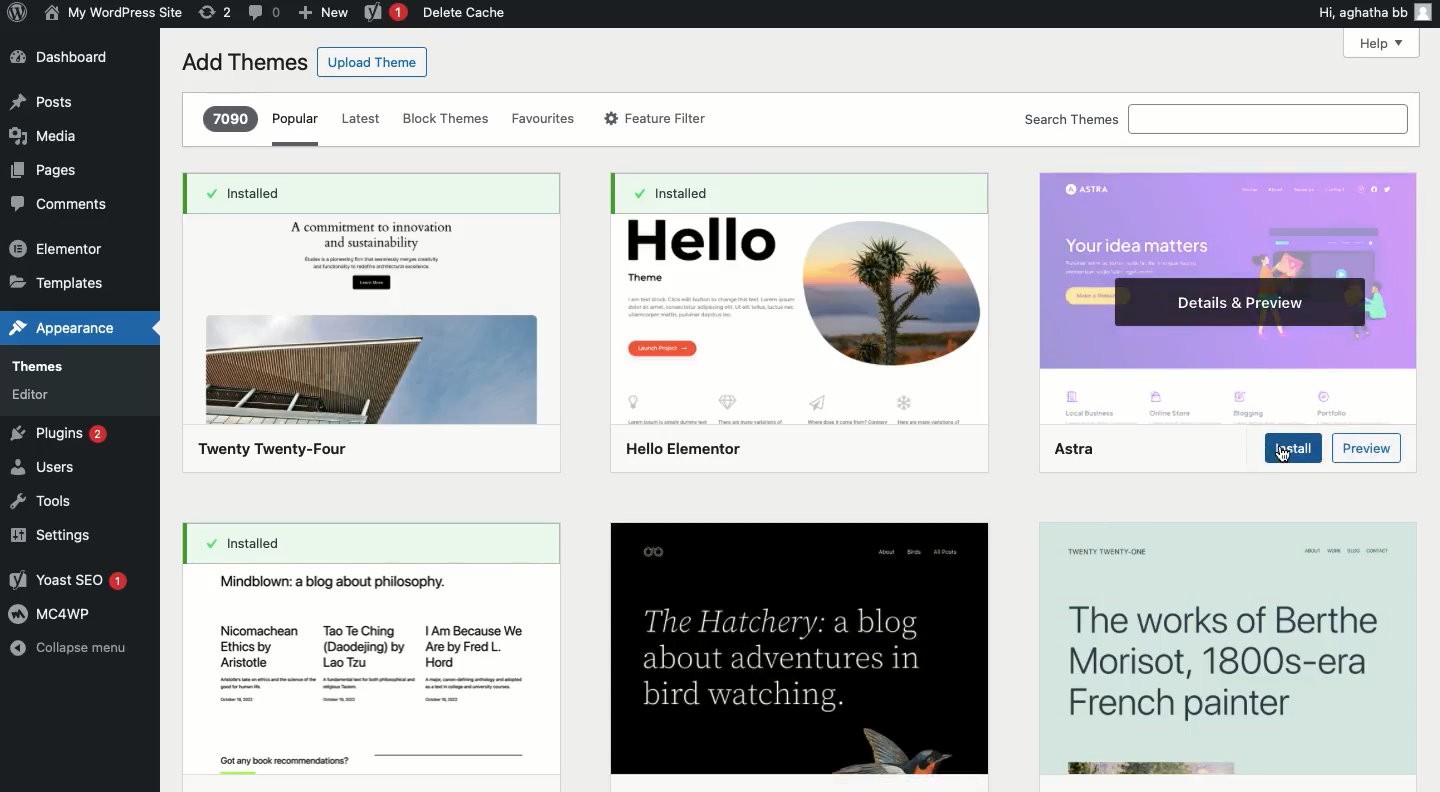 The image size is (1440, 792). Describe the element at coordinates (1223, 648) in the screenshot. I see `The works of Berthe
Morisot, 1800s-era
French painter` at that location.